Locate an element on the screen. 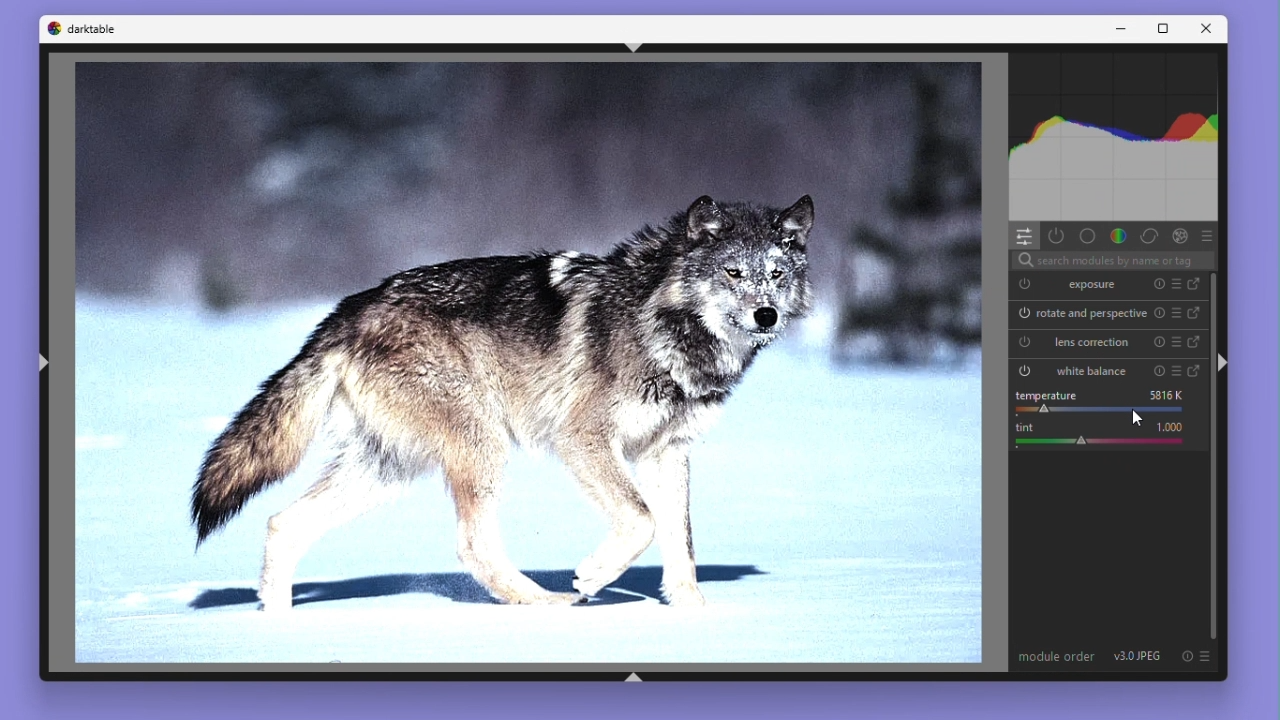 This screenshot has height=720, width=1280. Base  is located at coordinates (1087, 236).